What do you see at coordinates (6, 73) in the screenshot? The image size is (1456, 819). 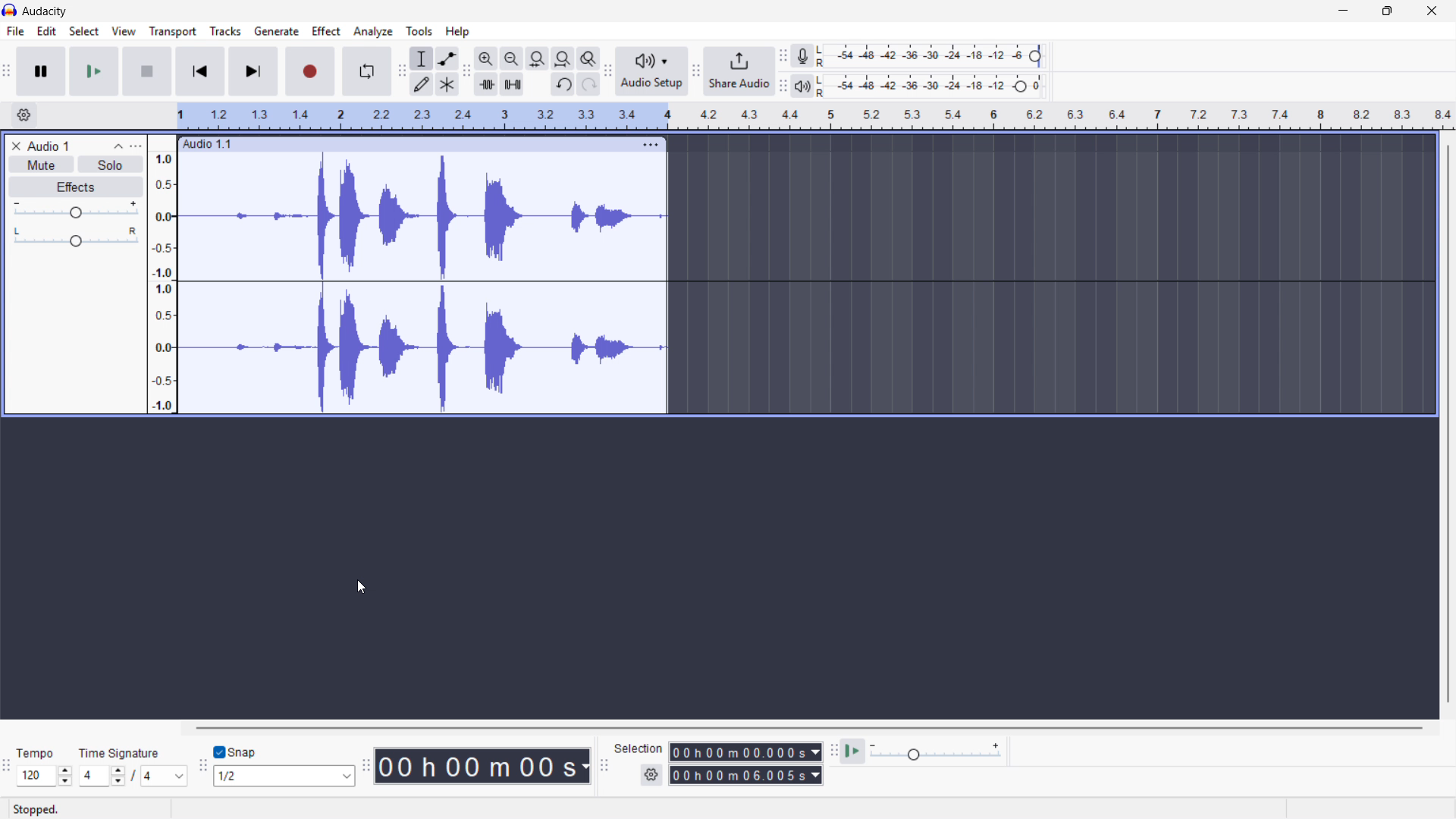 I see `Transport toolbar ` at bounding box center [6, 73].